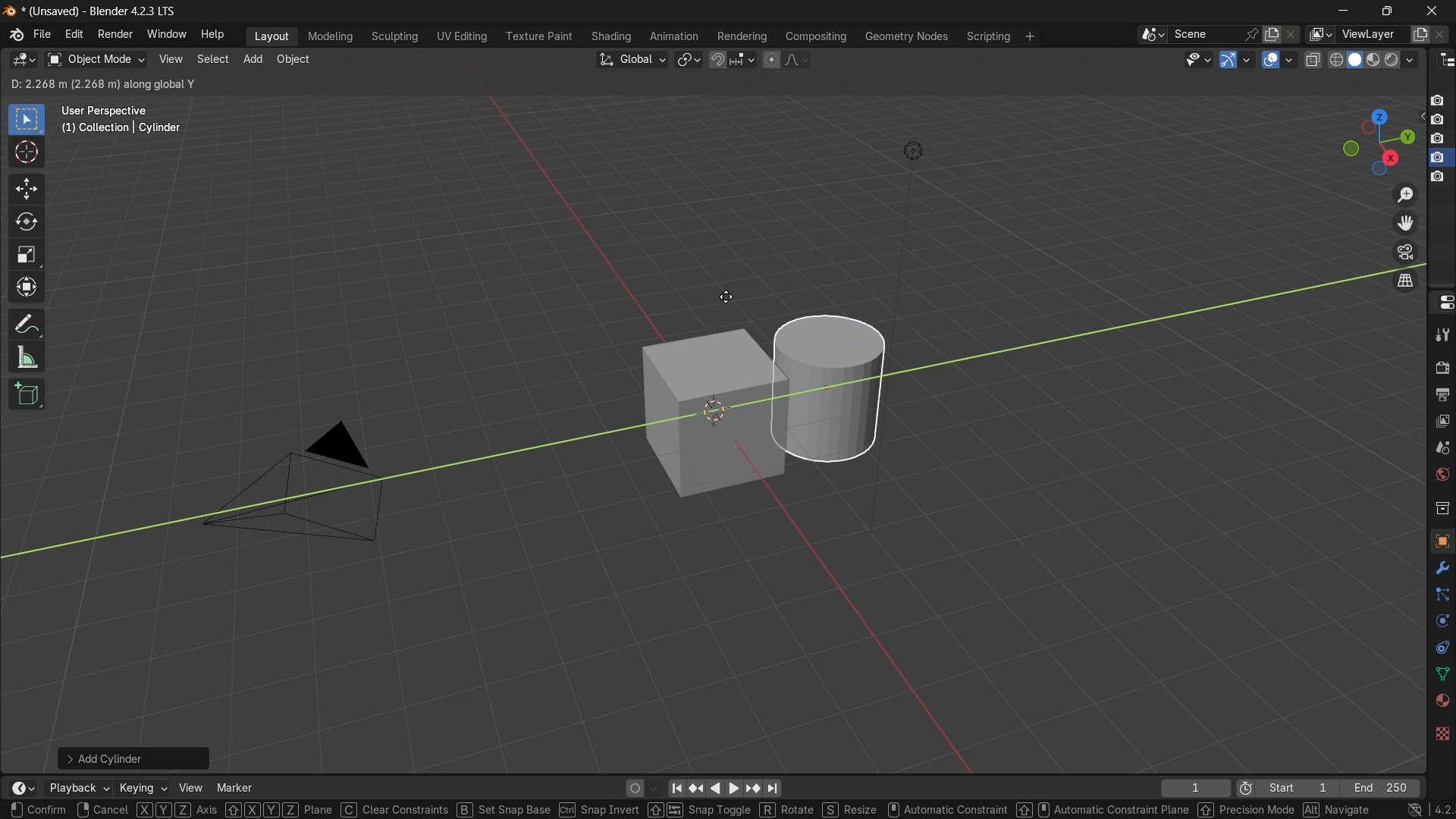 This screenshot has height=819, width=1456. What do you see at coordinates (1439, 139) in the screenshot?
I see `capture` at bounding box center [1439, 139].